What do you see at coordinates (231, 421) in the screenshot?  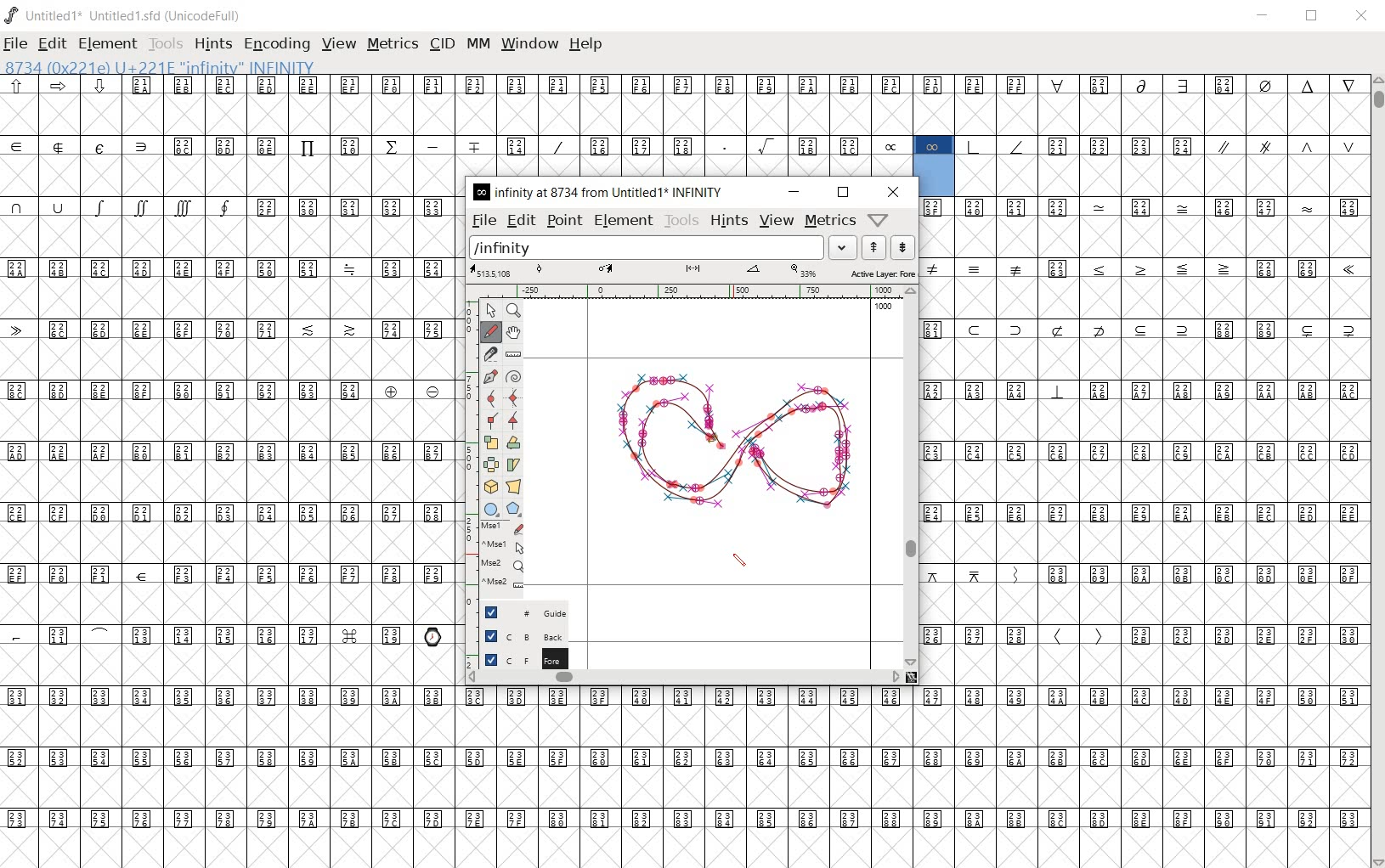 I see `empty glyph slots` at bounding box center [231, 421].